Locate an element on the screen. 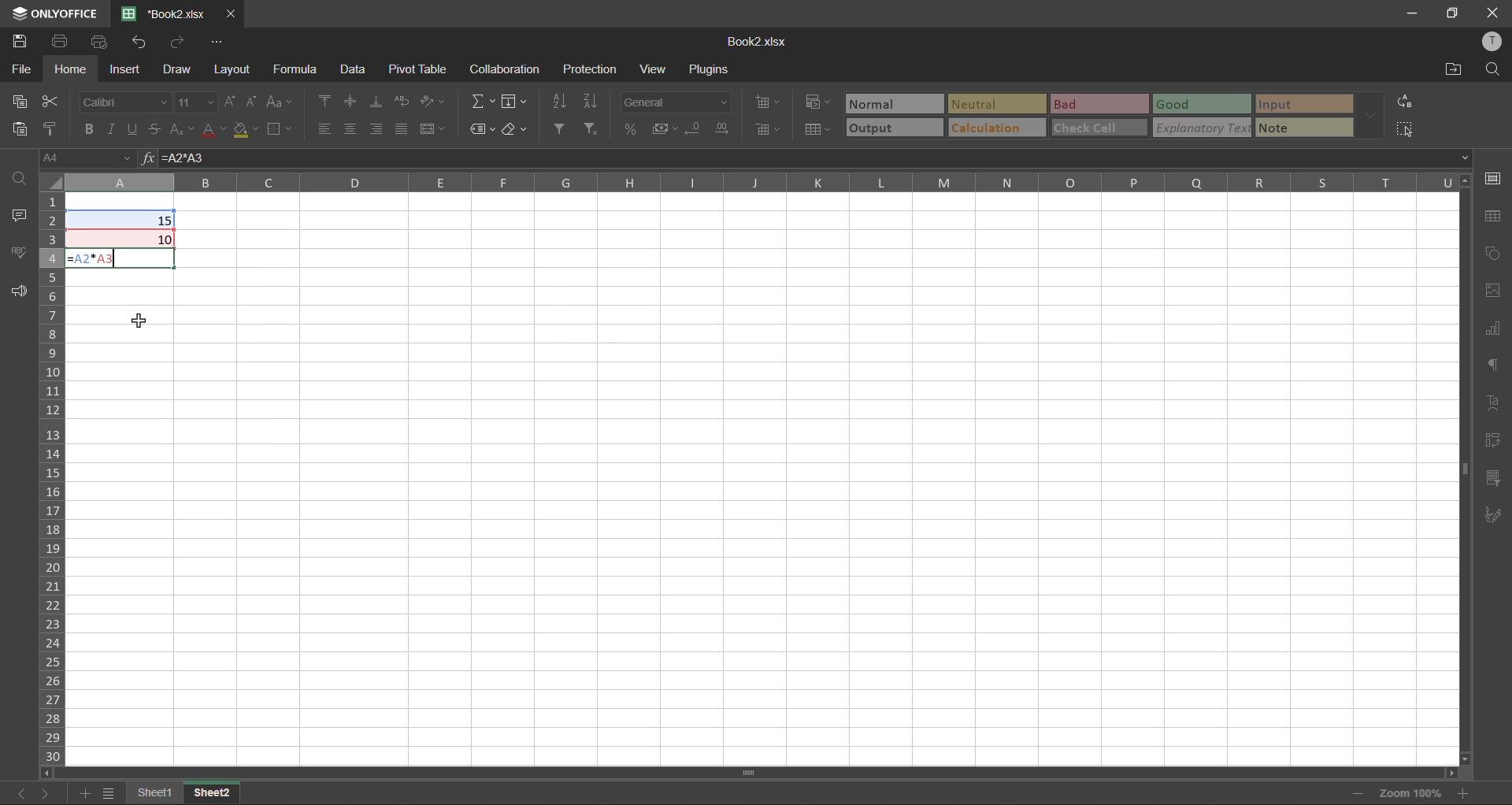 This screenshot has width=1512, height=805. images is located at coordinates (1493, 291).